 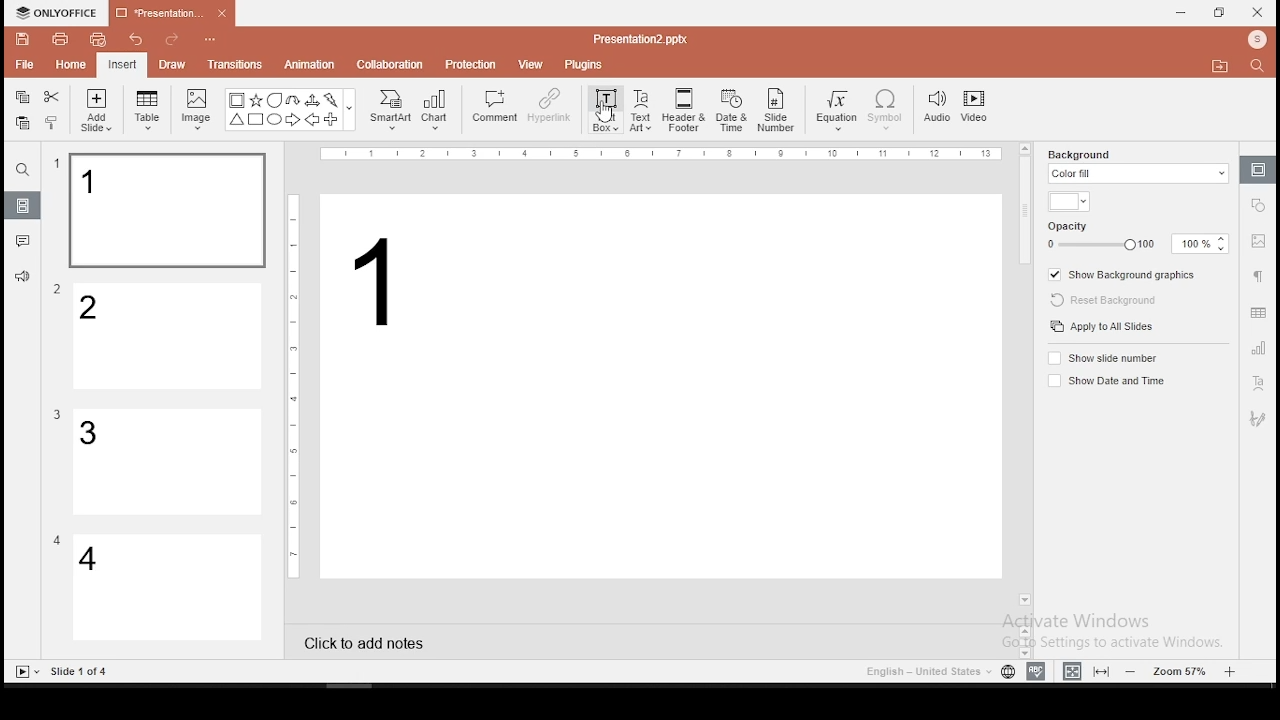 What do you see at coordinates (121, 64) in the screenshot?
I see `insert` at bounding box center [121, 64].